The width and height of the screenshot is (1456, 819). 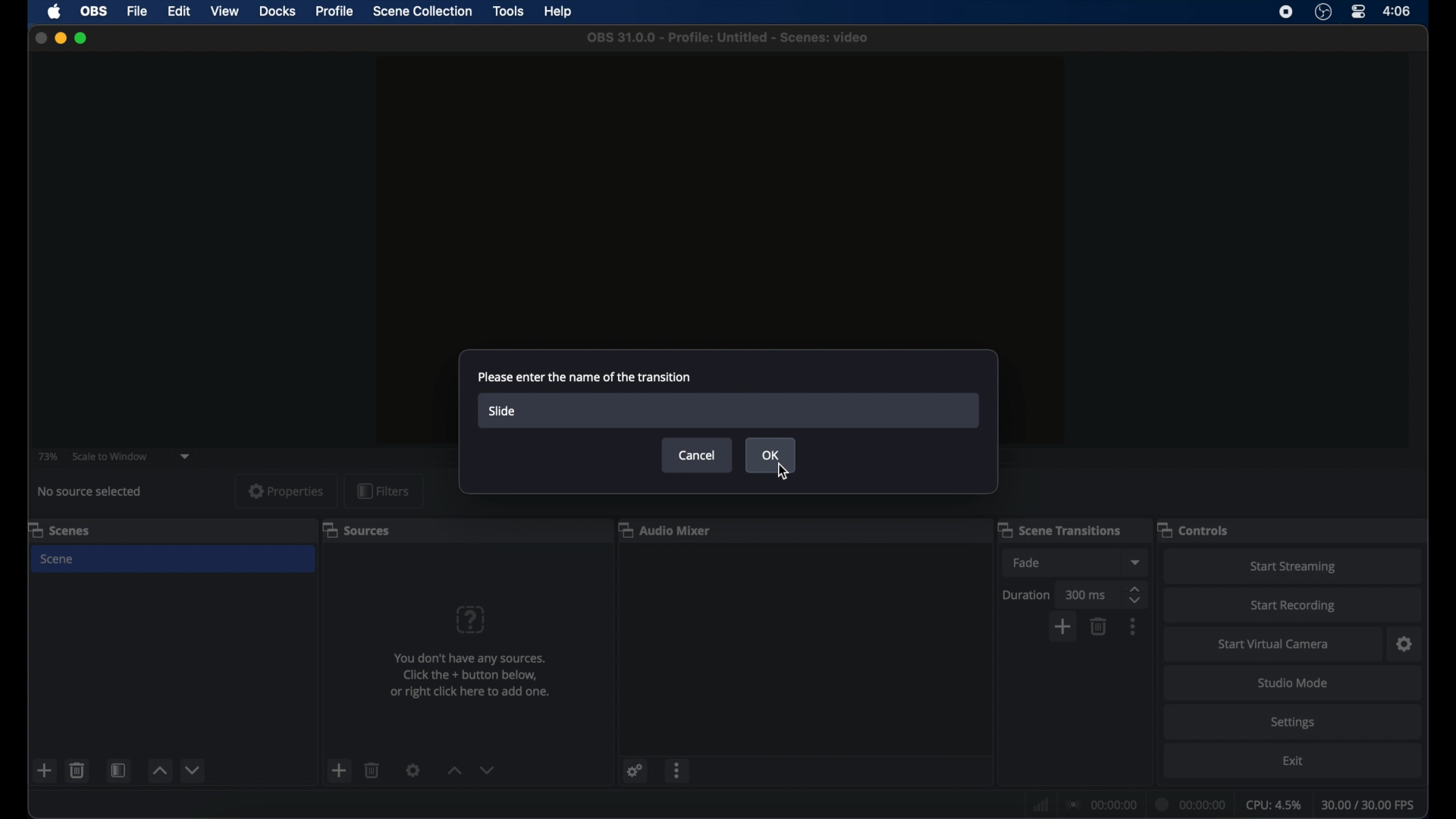 What do you see at coordinates (583, 378) in the screenshot?
I see `please enter the name of the transition` at bounding box center [583, 378].